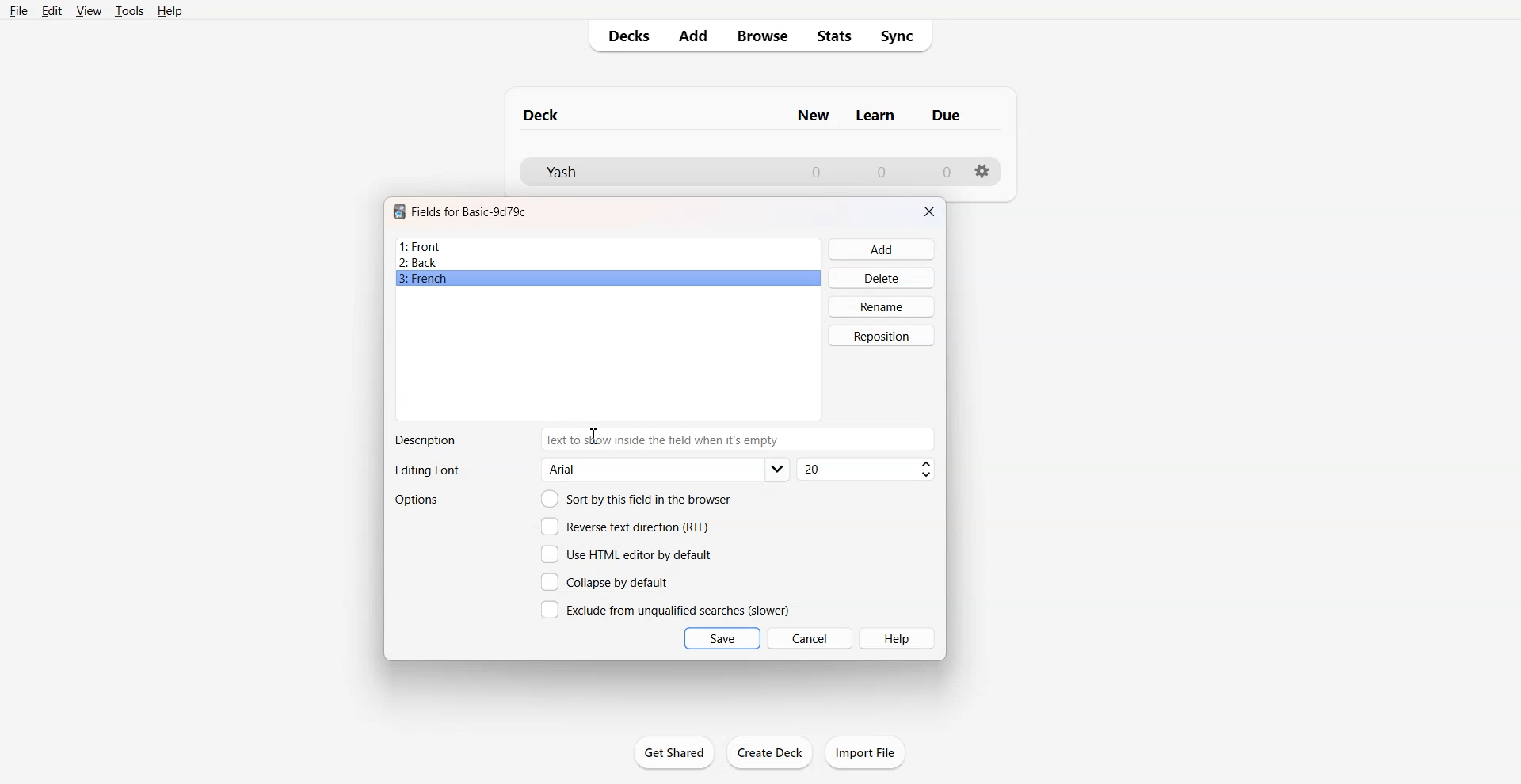 The width and height of the screenshot is (1521, 784). What do you see at coordinates (835, 36) in the screenshot?
I see `Stats` at bounding box center [835, 36].